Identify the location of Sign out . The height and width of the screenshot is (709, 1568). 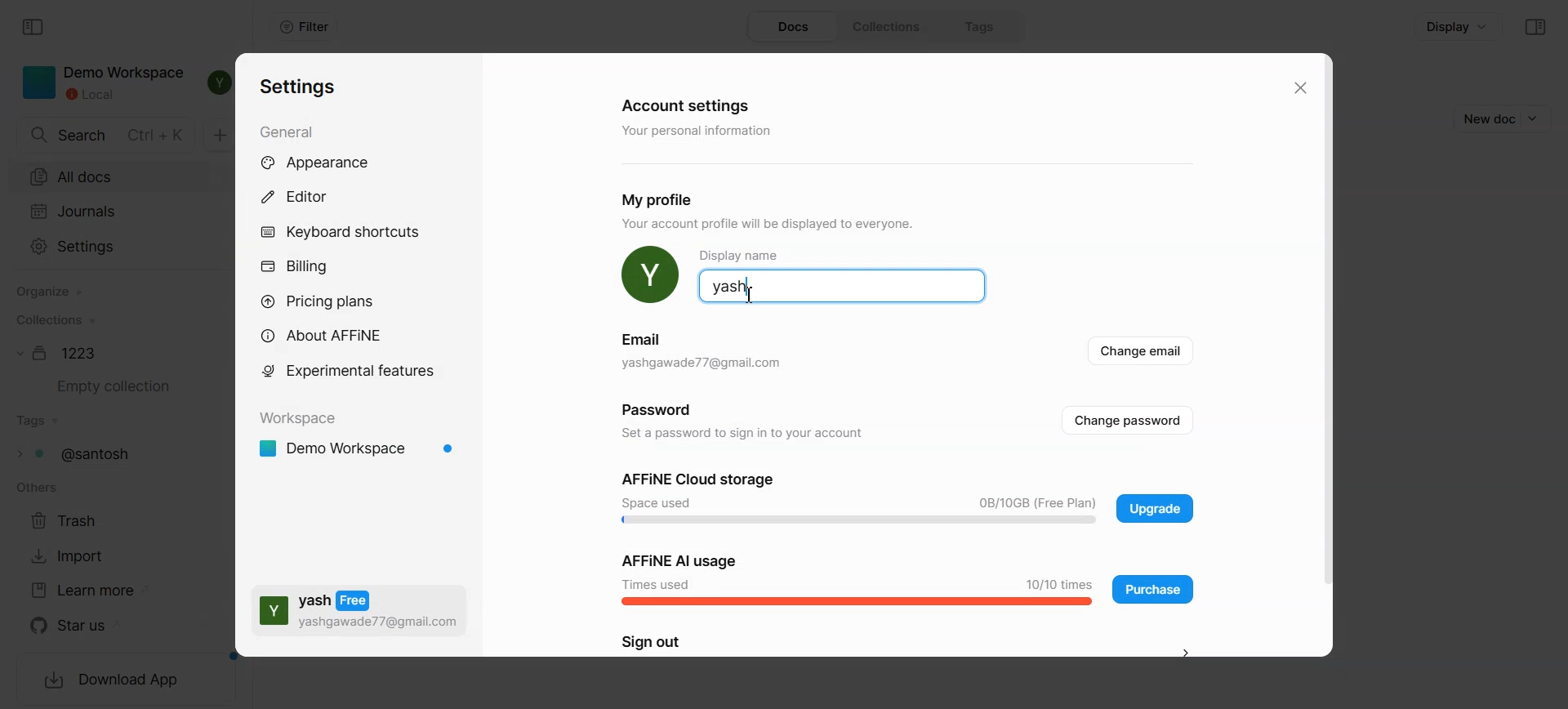
(911, 644).